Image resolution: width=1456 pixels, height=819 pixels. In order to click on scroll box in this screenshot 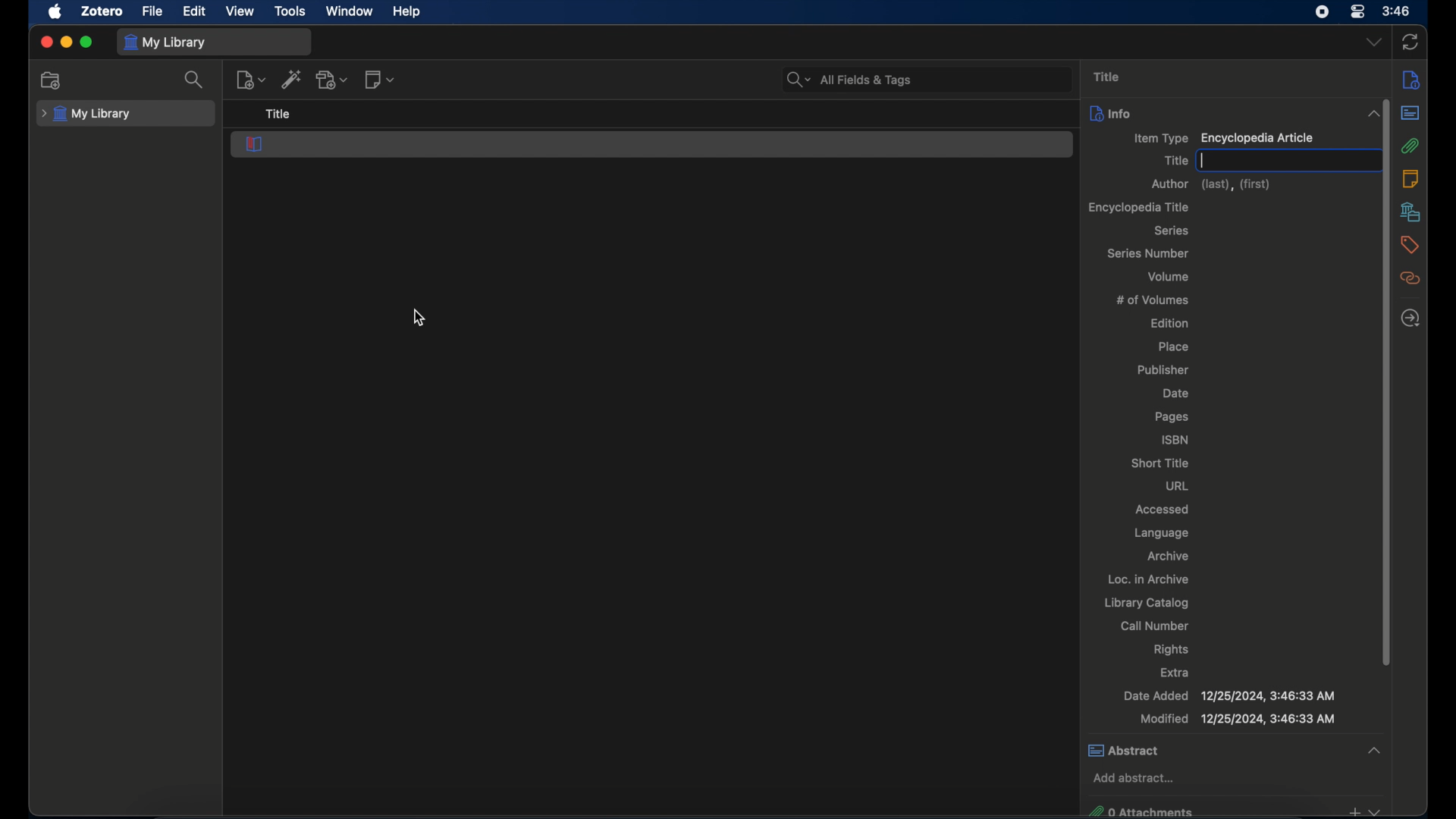, I will do `click(1382, 381)`.